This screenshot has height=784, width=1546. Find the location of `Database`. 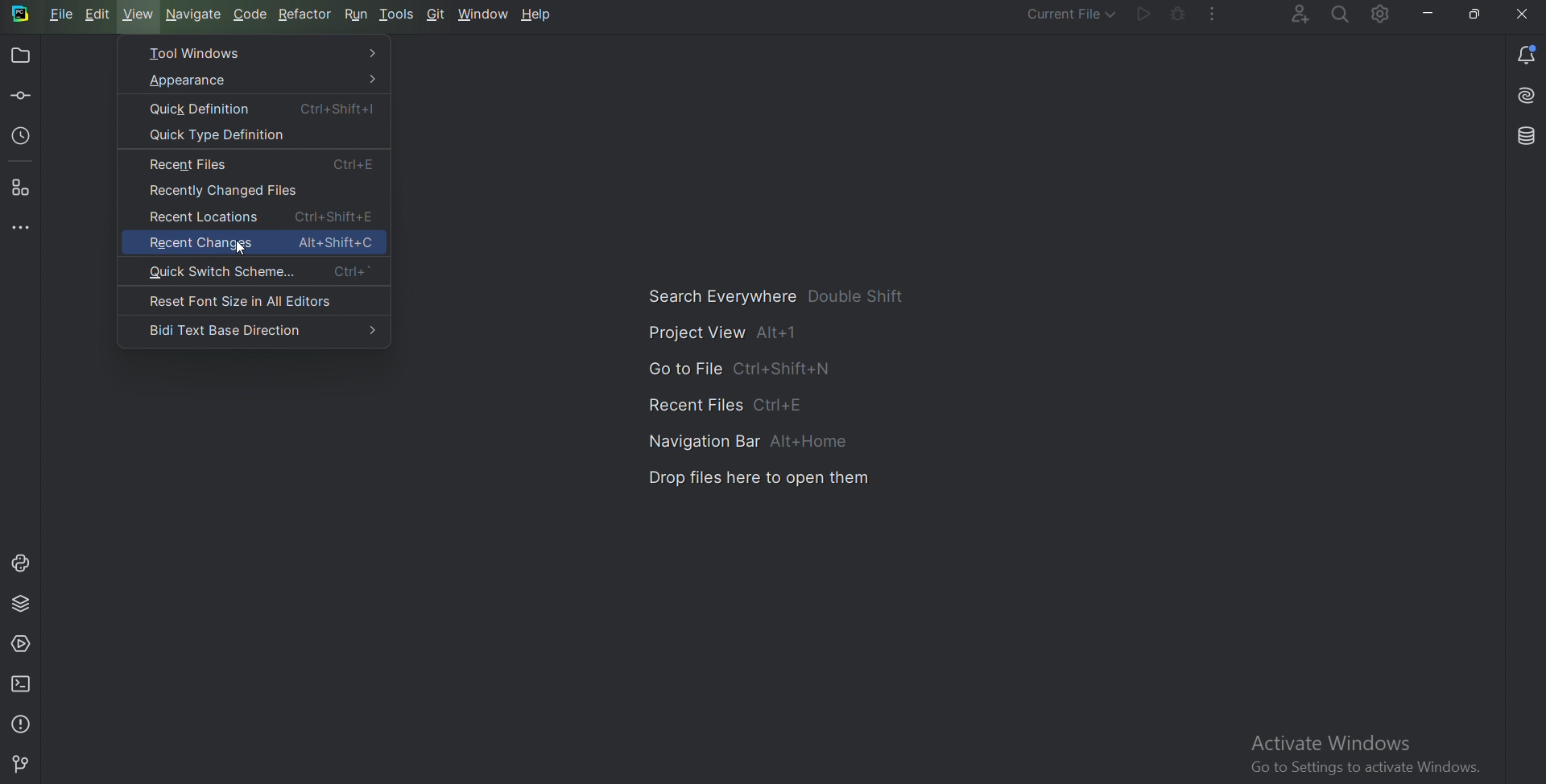

Database is located at coordinates (1516, 138).